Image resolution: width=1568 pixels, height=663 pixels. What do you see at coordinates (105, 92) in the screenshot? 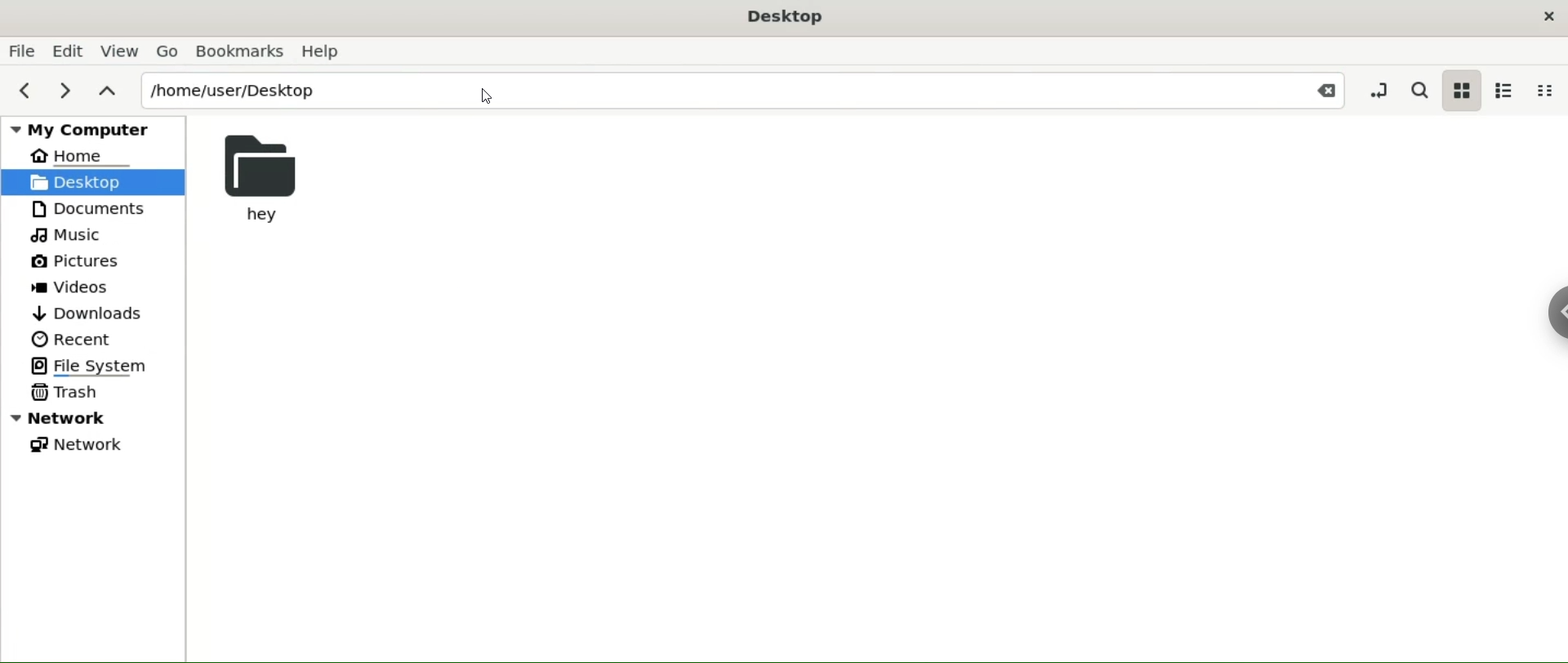
I see `parent holders` at bounding box center [105, 92].